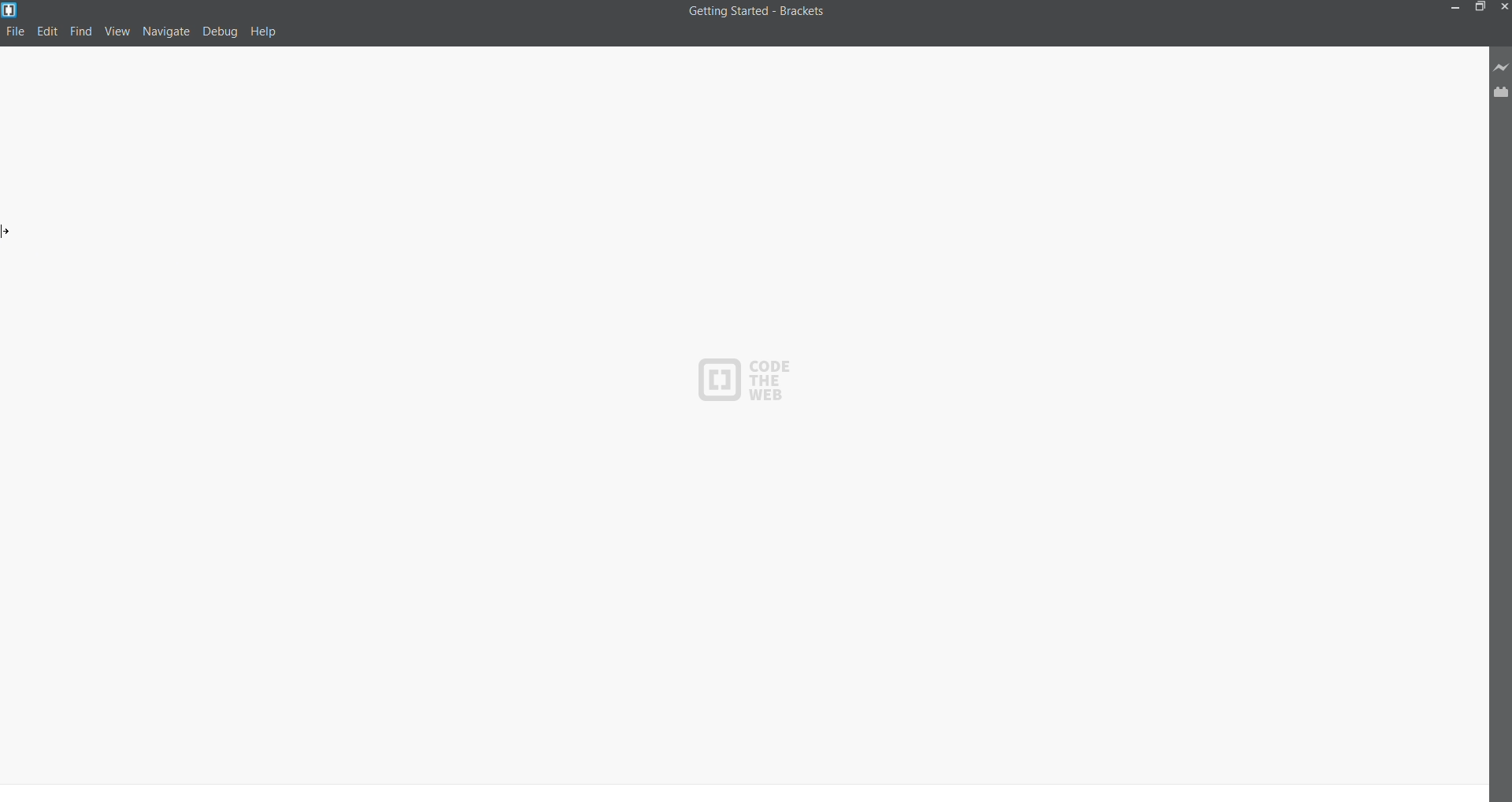  I want to click on live preview, so click(1499, 67).